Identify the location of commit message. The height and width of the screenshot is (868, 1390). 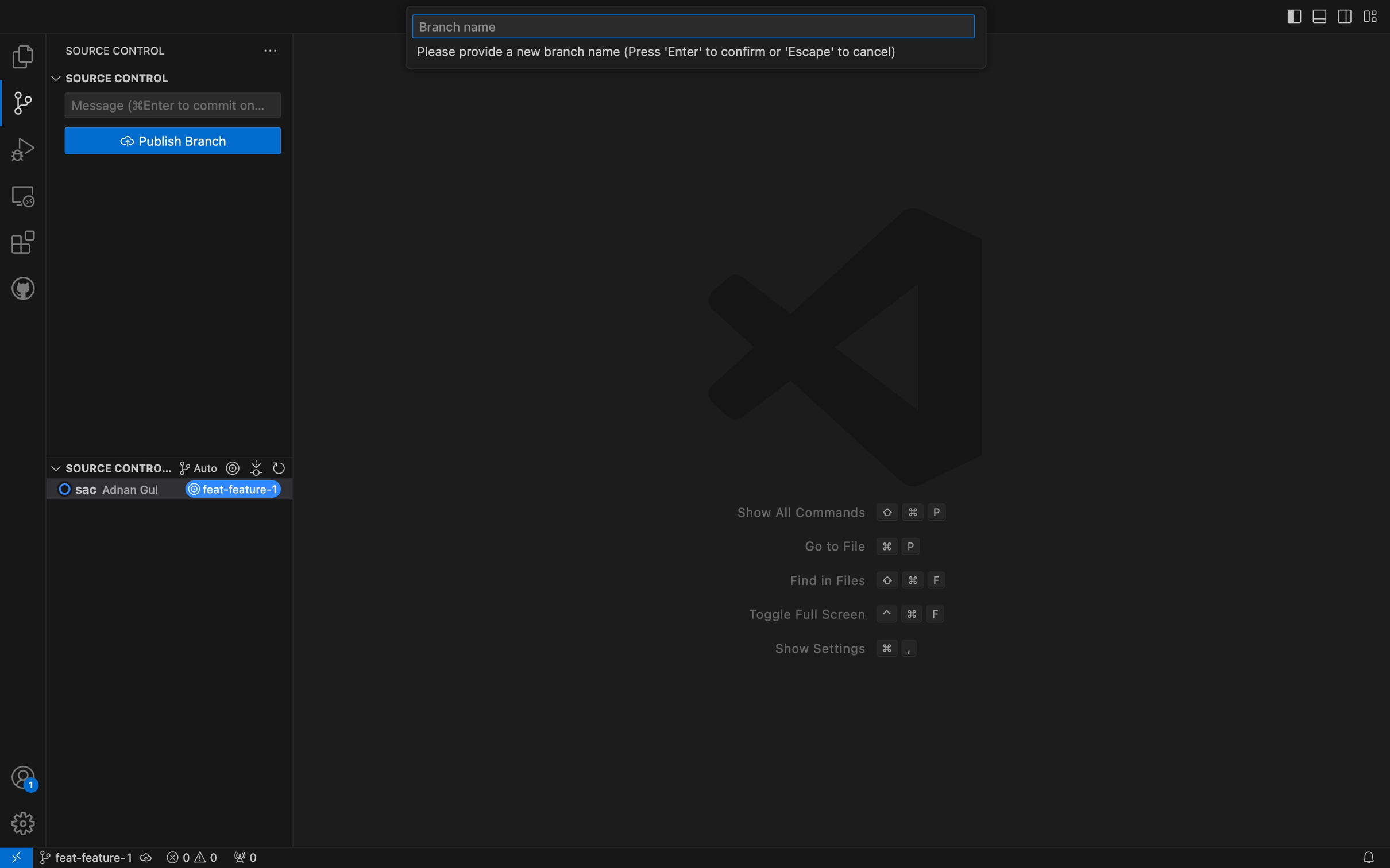
(175, 105).